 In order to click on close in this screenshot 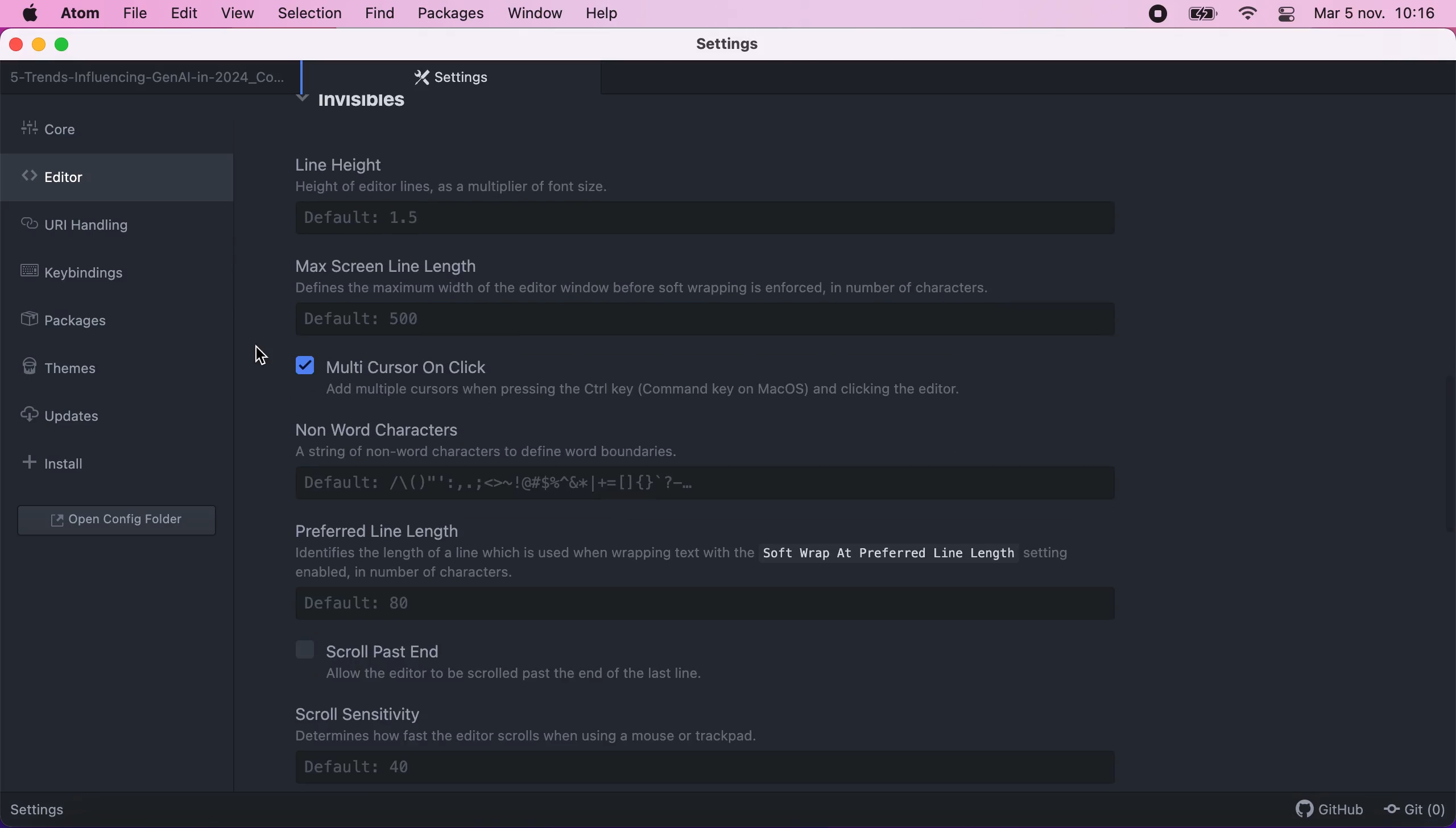, I will do `click(17, 45)`.